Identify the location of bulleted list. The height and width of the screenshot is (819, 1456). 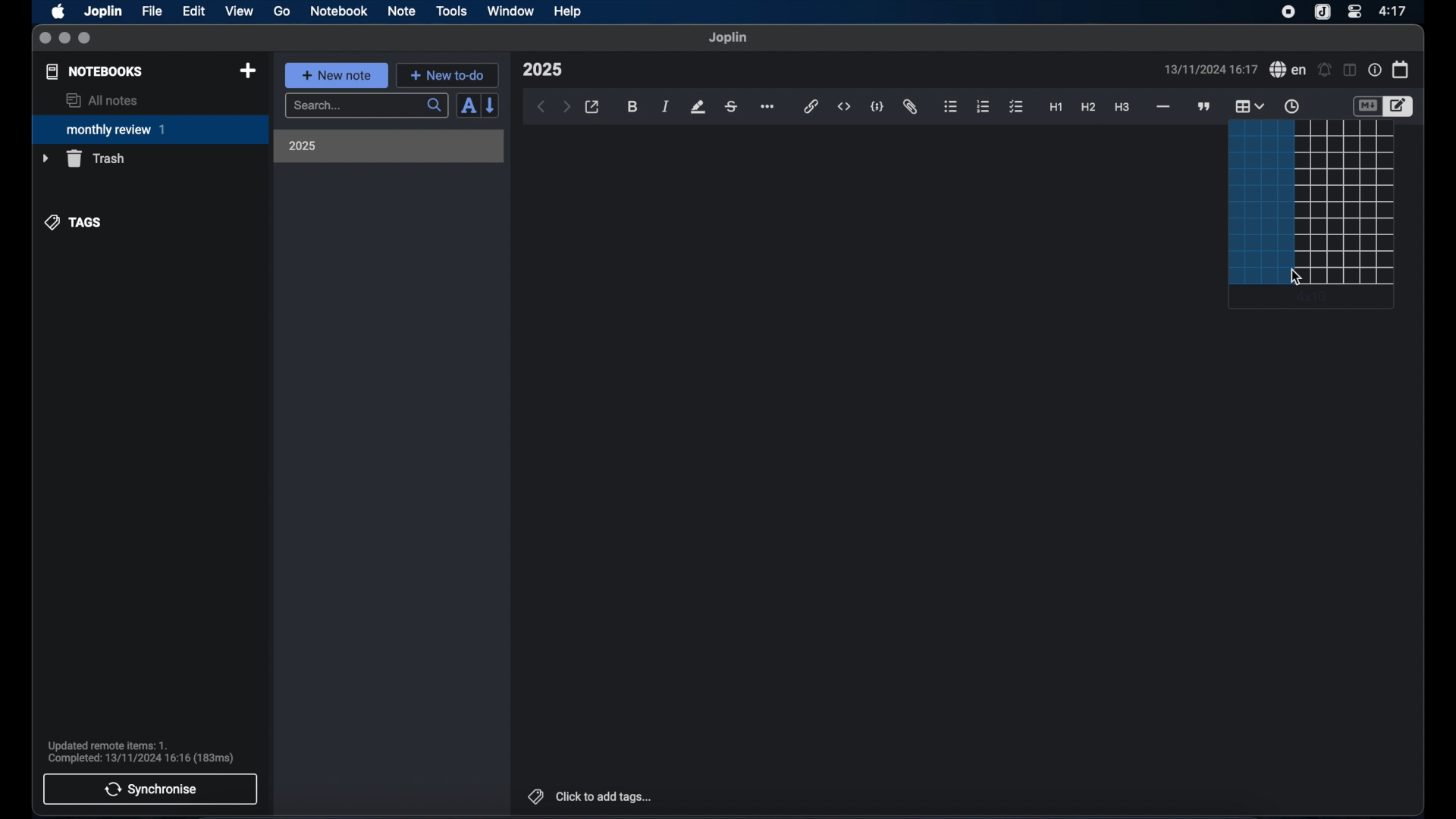
(950, 107).